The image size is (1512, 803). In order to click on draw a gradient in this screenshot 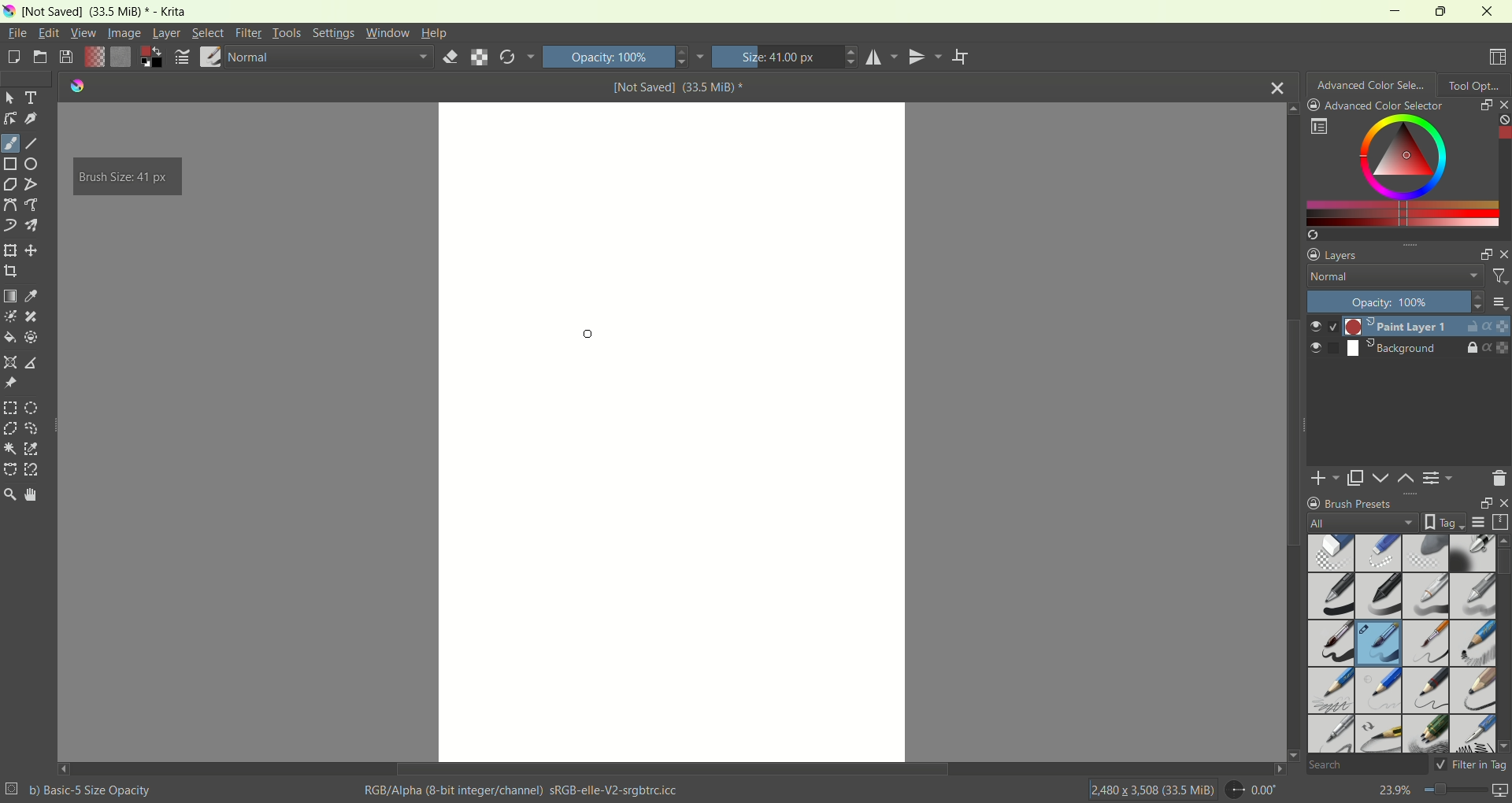, I will do `click(10, 295)`.